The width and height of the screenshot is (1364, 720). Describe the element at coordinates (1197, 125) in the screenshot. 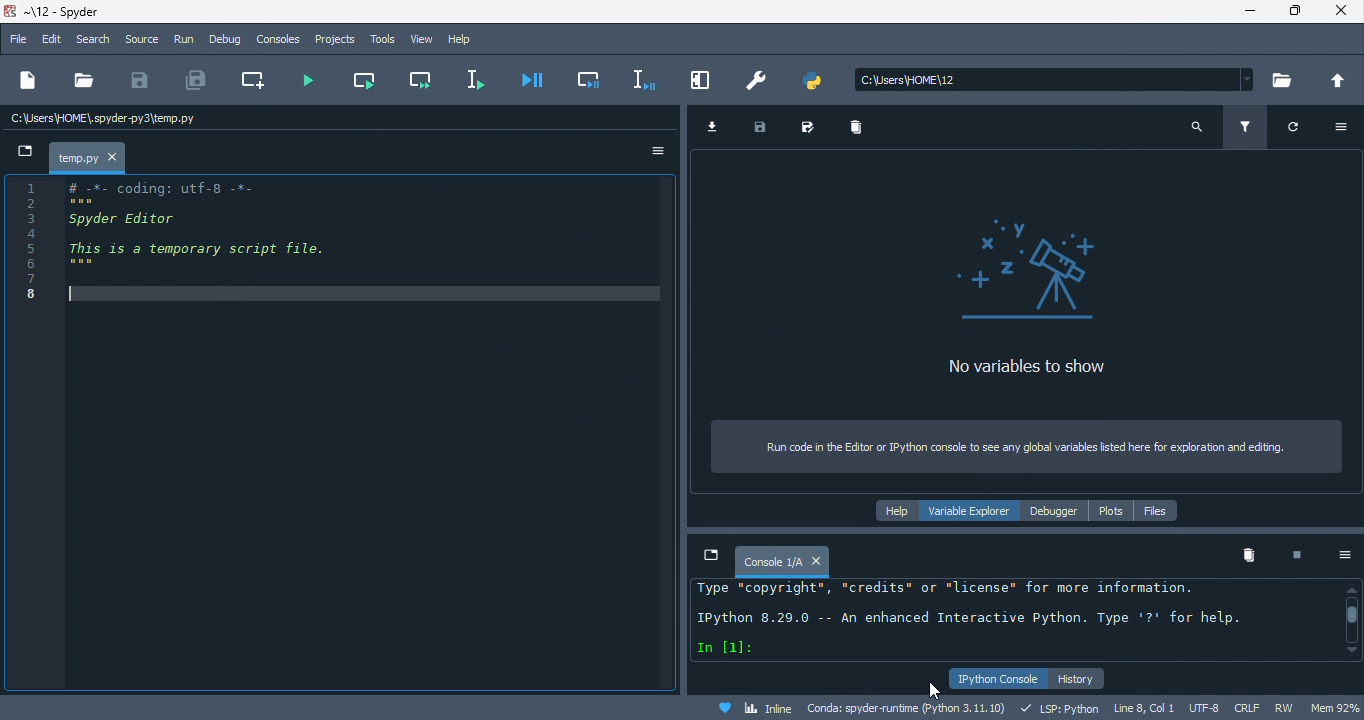

I see `search` at that location.